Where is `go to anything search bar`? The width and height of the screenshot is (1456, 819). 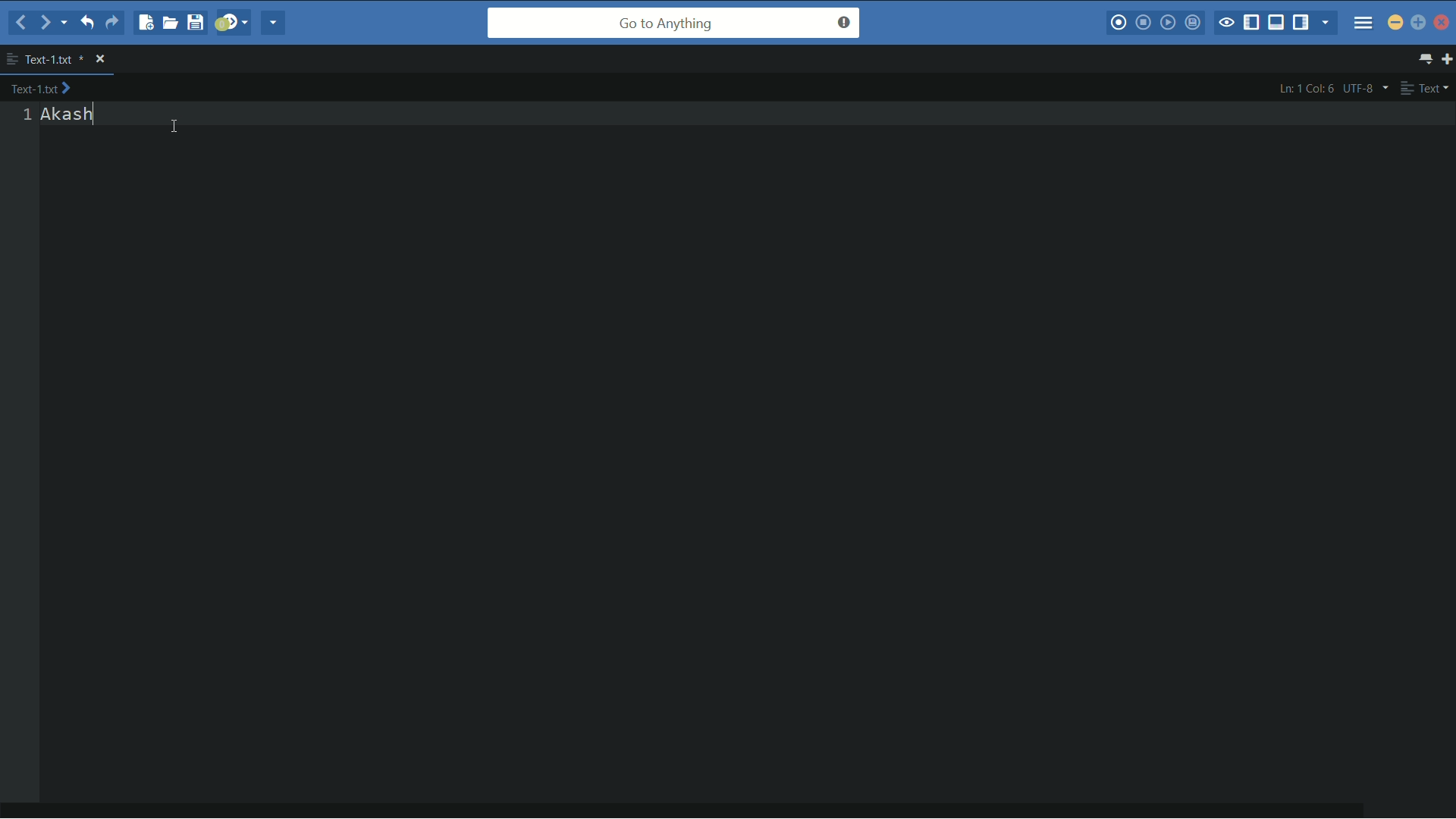
go to anything search bar is located at coordinates (673, 23).